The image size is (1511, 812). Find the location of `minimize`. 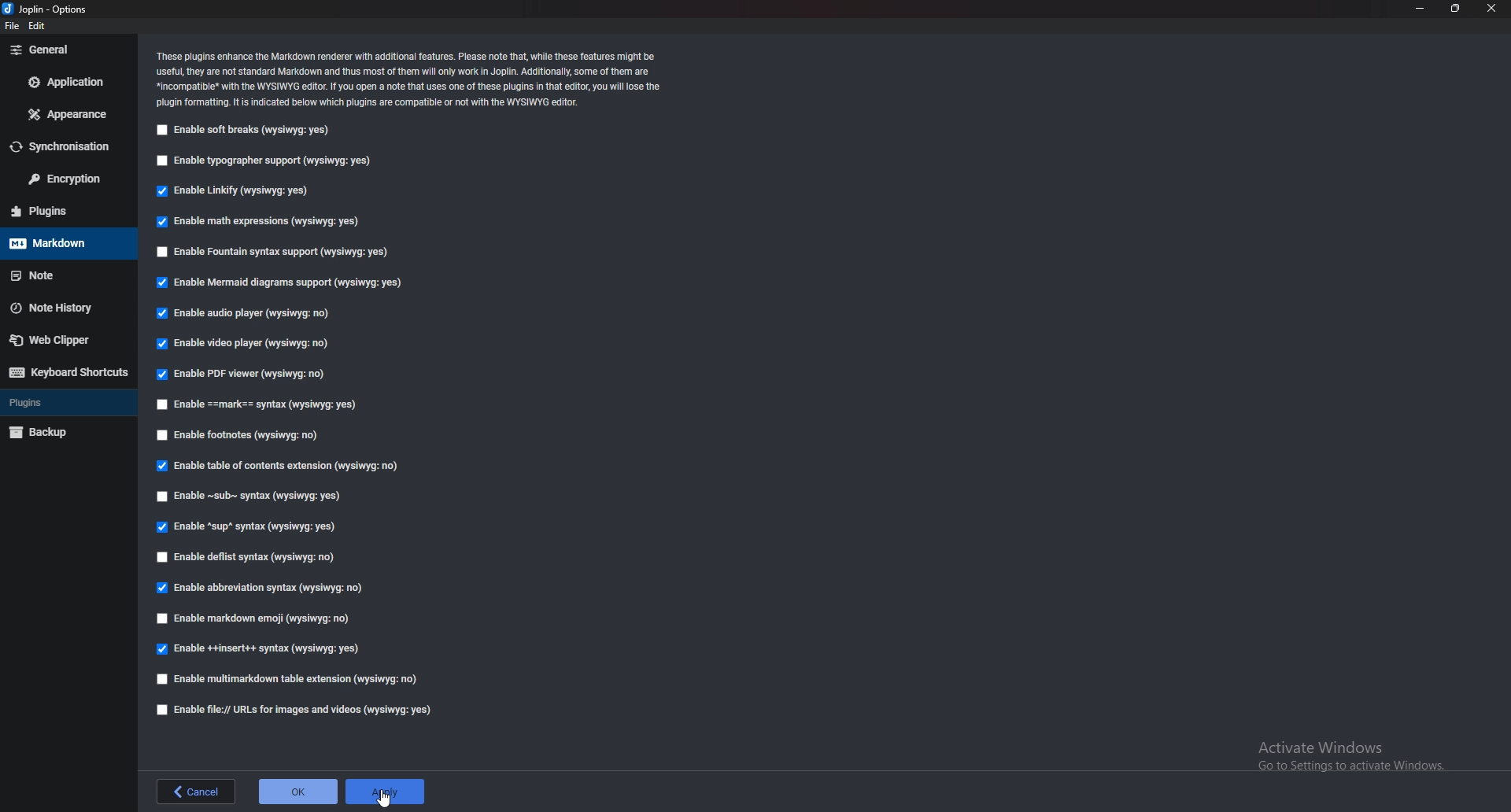

minimize is located at coordinates (1421, 9).